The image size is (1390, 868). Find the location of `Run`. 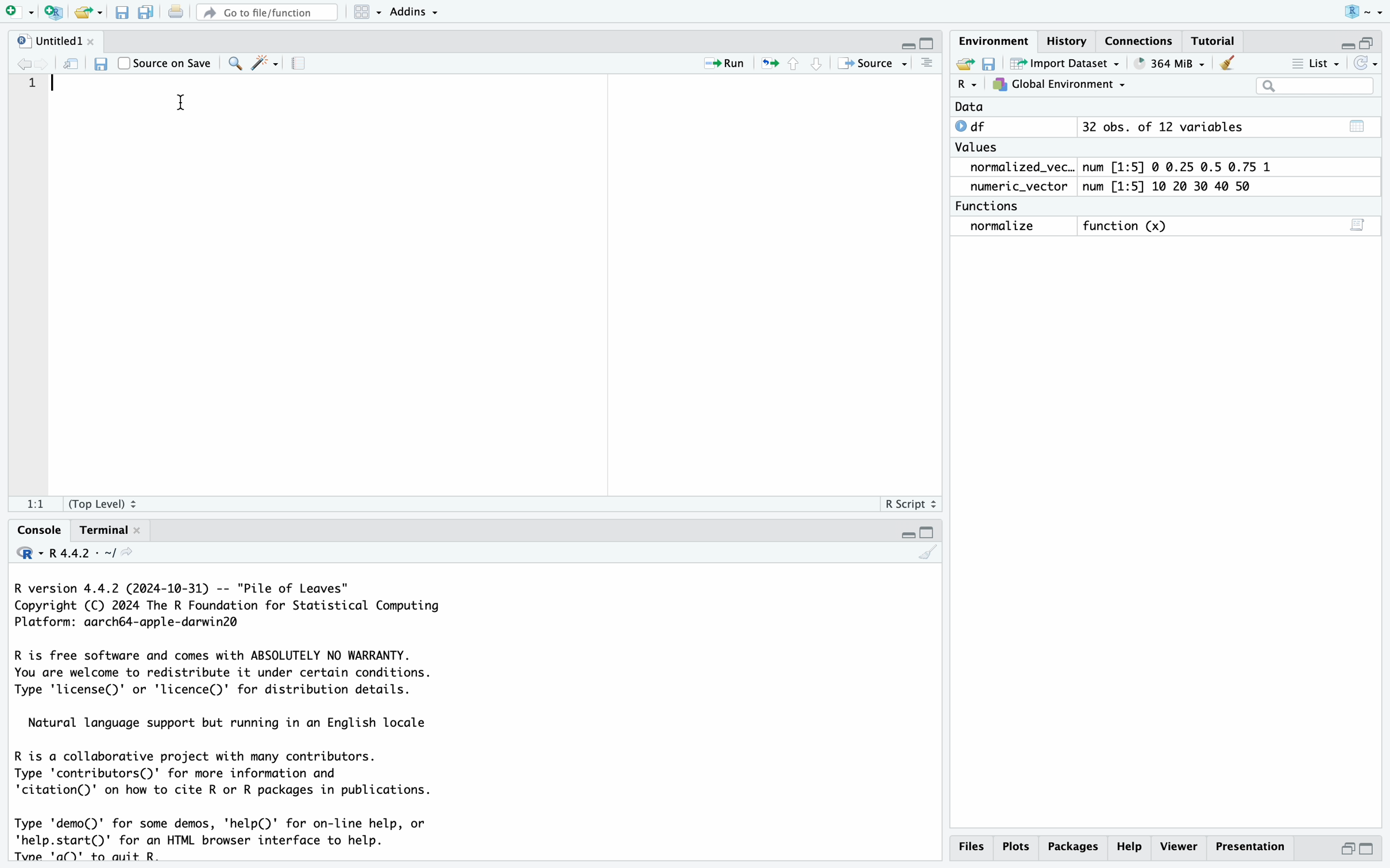

Run is located at coordinates (717, 64).